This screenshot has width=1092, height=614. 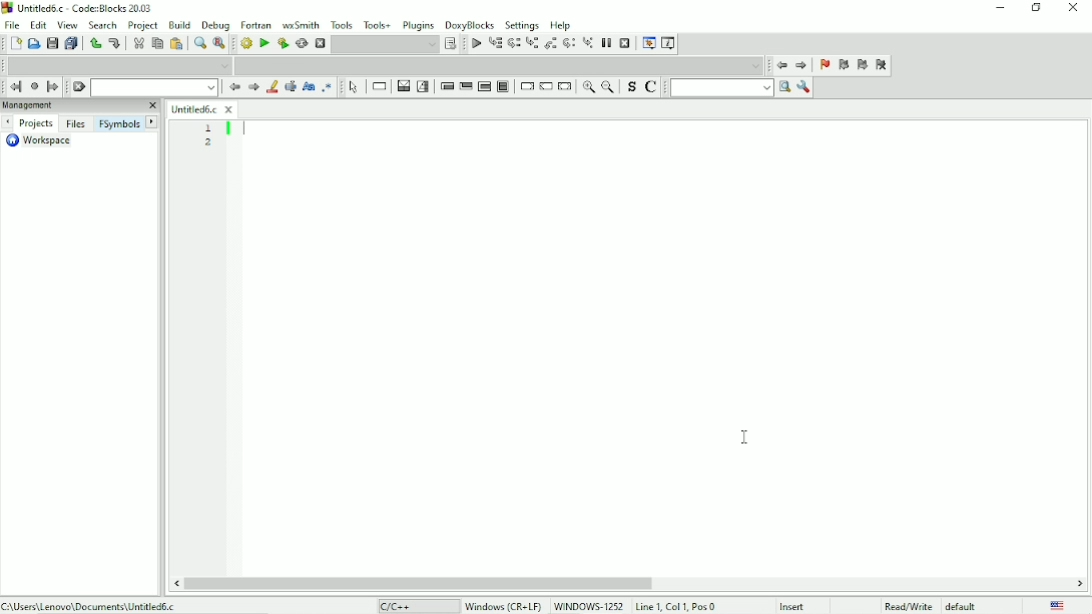 What do you see at coordinates (15, 44) in the screenshot?
I see `New file` at bounding box center [15, 44].